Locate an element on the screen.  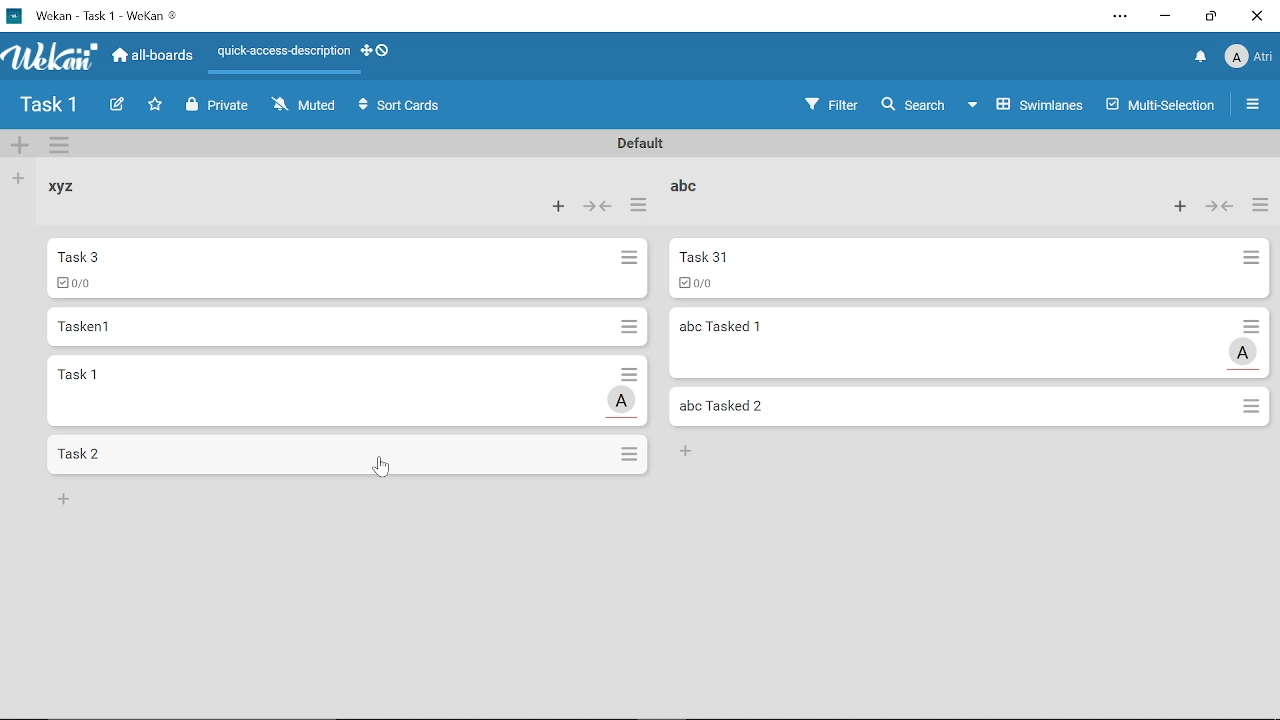
Restore down is located at coordinates (1211, 16).